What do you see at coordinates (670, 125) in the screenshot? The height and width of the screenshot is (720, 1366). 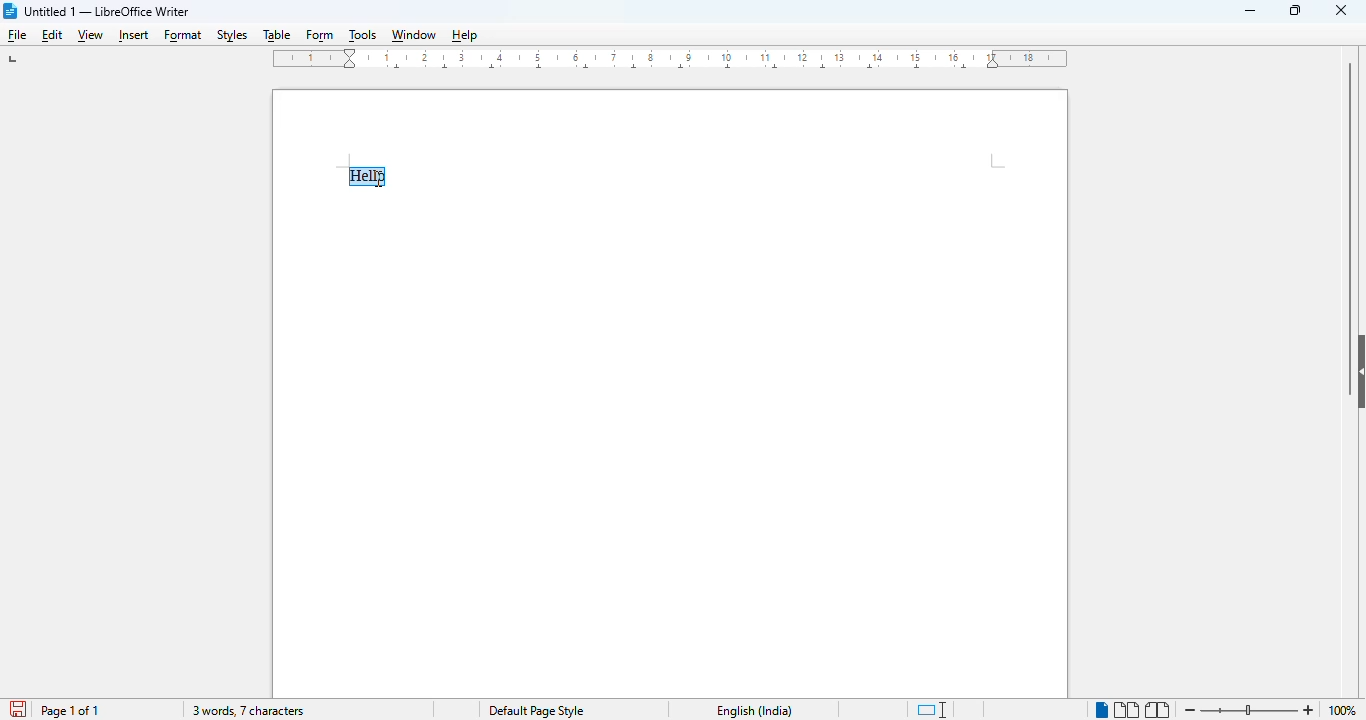 I see `workspace` at bounding box center [670, 125].